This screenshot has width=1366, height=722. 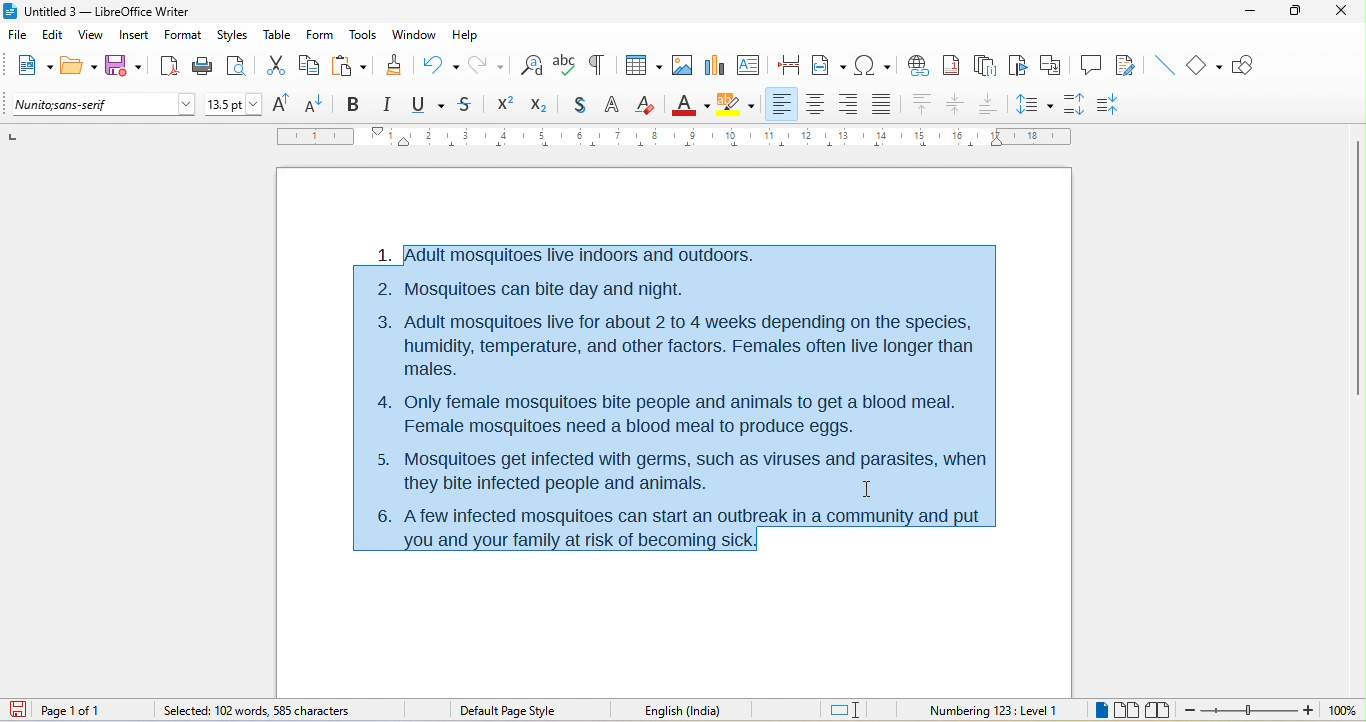 What do you see at coordinates (17, 32) in the screenshot?
I see `file` at bounding box center [17, 32].